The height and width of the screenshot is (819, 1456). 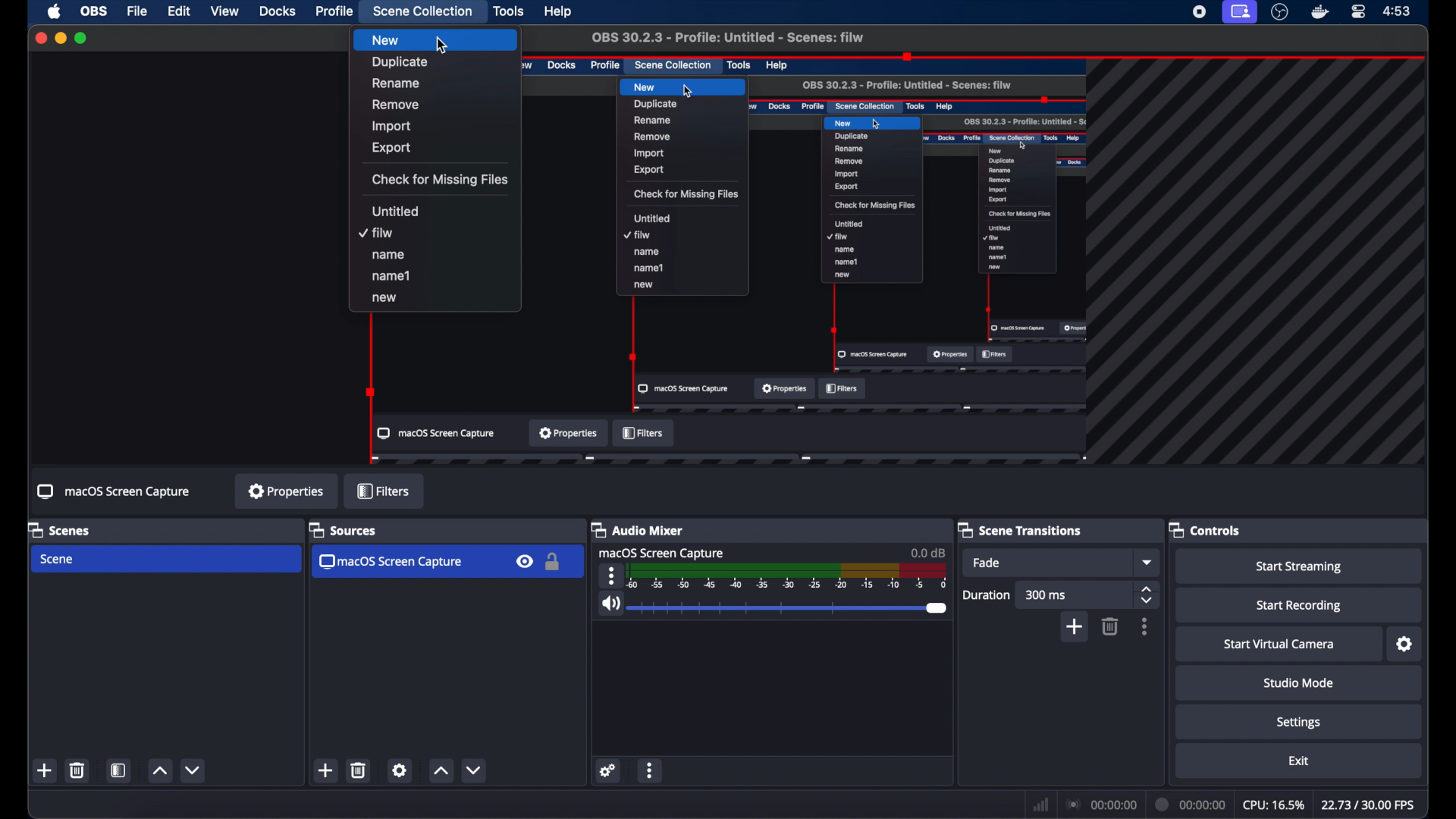 I want to click on network, so click(x=1040, y=803).